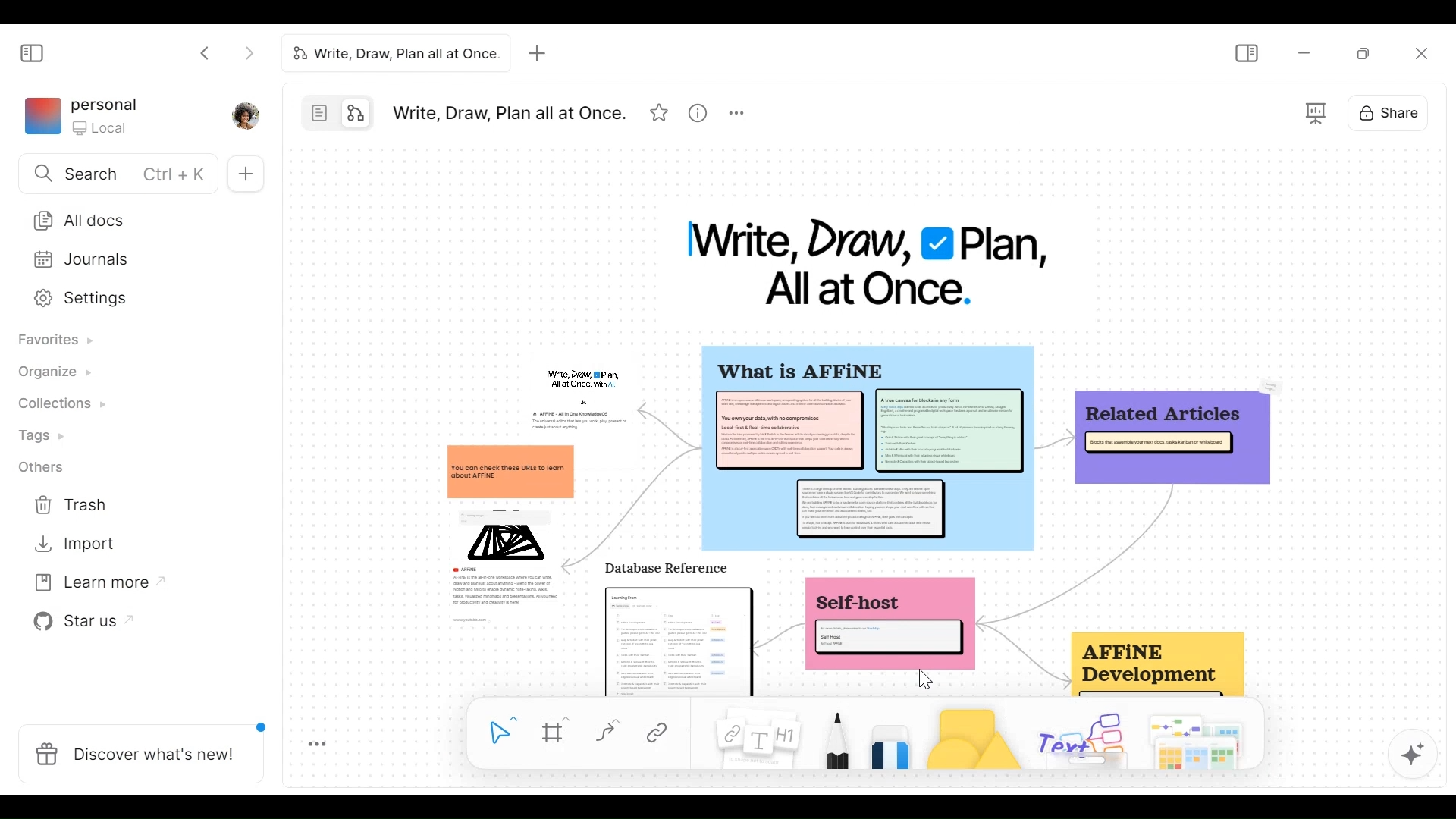  What do you see at coordinates (1302, 52) in the screenshot?
I see `minimize` at bounding box center [1302, 52].